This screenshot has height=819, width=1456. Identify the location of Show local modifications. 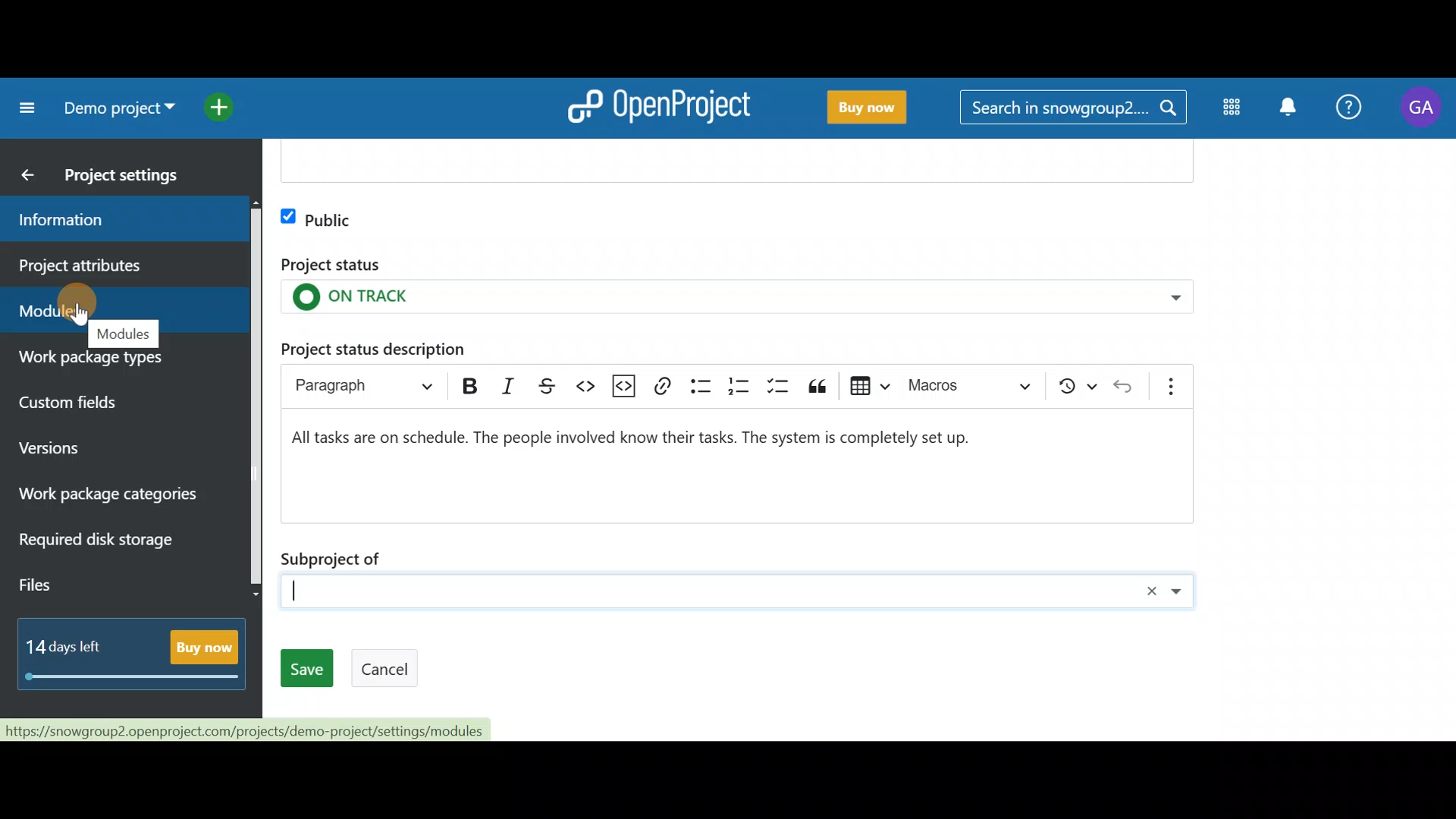
(1078, 385).